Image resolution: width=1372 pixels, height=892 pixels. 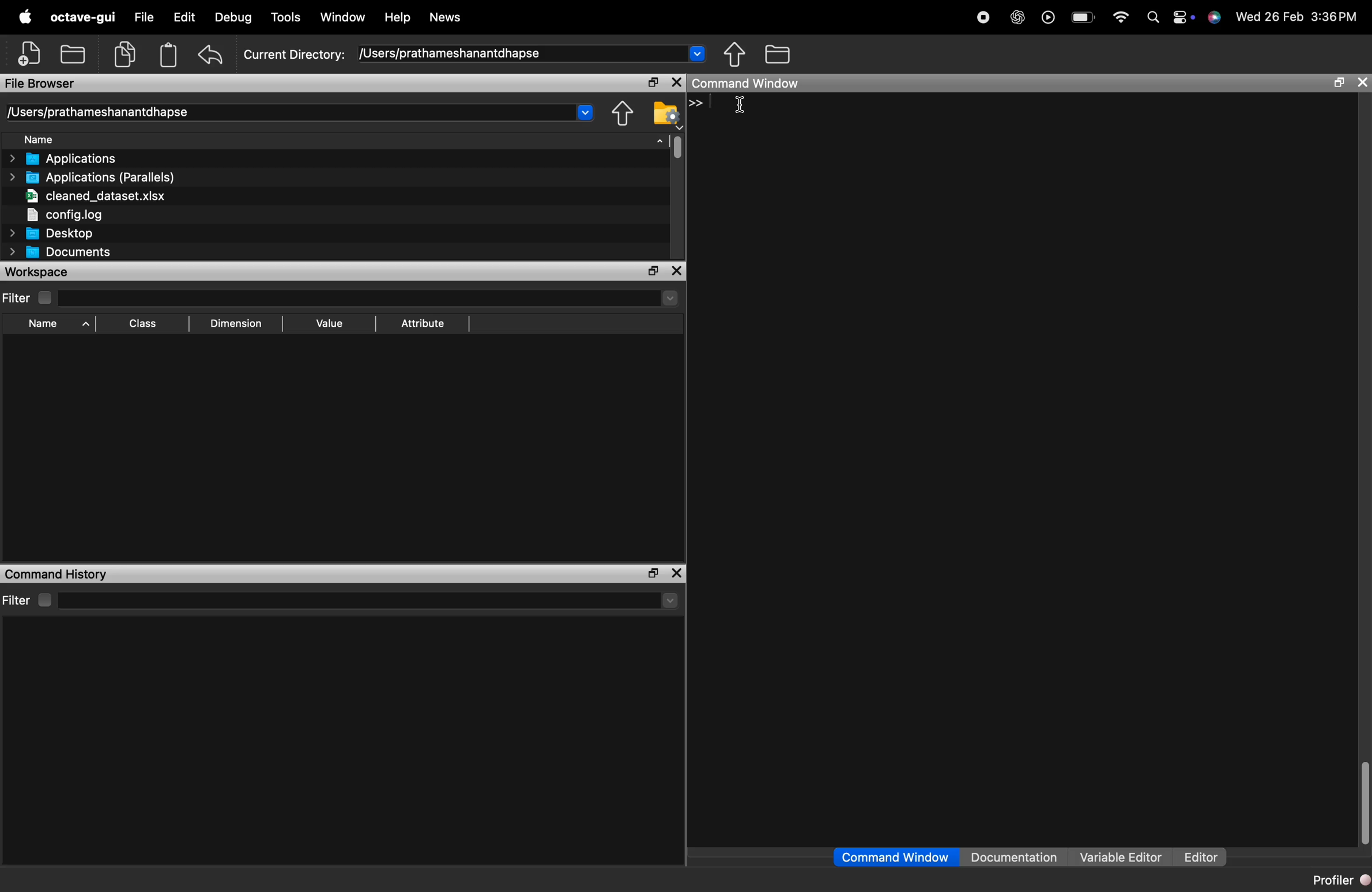 I want to click on > Applications, so click(x=84, y=158).